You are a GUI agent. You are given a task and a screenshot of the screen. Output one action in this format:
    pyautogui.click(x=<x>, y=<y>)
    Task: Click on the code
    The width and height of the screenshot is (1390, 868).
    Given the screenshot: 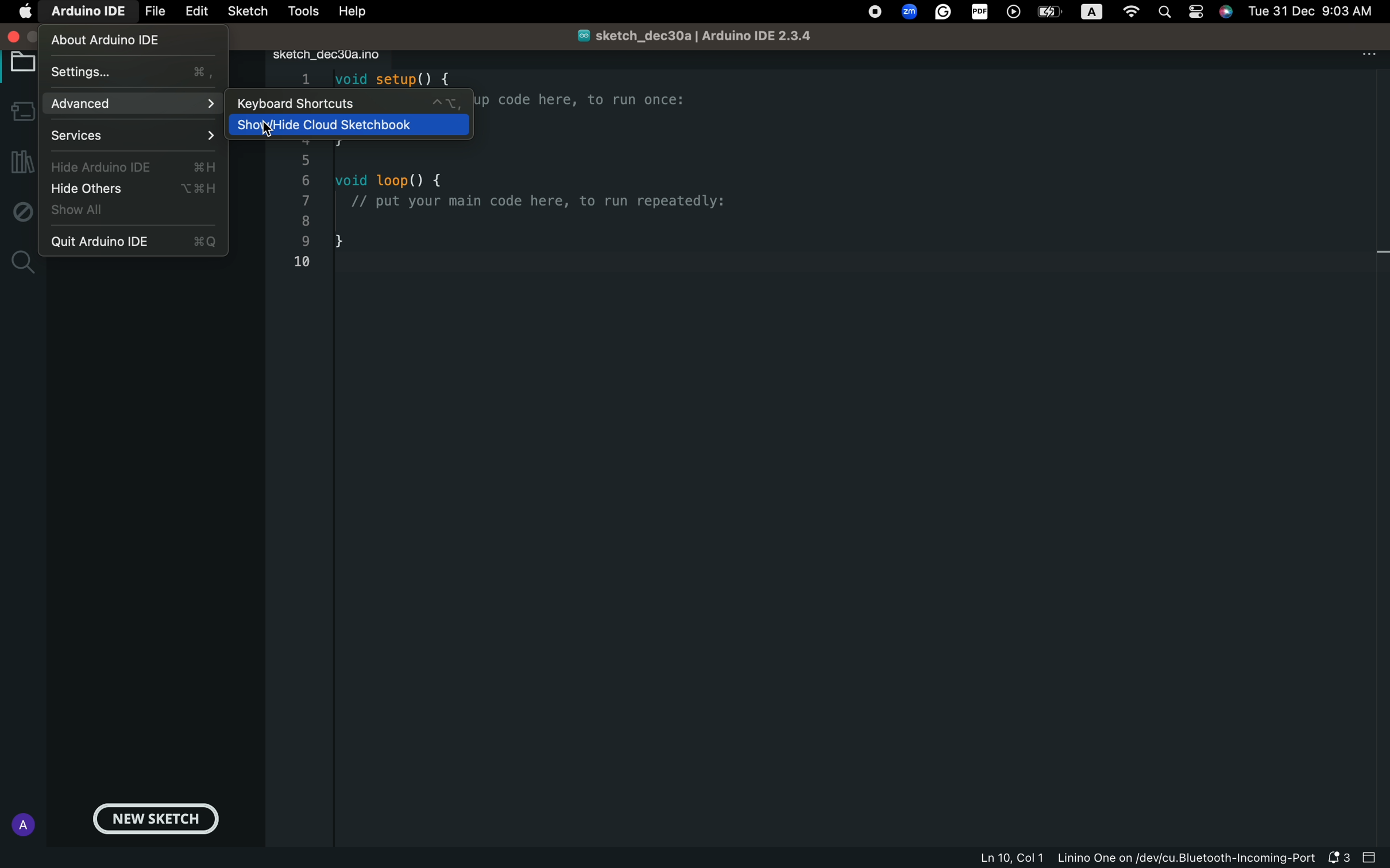 What is the action you would take?
    pyautogui.click(x=532, y=180)
    